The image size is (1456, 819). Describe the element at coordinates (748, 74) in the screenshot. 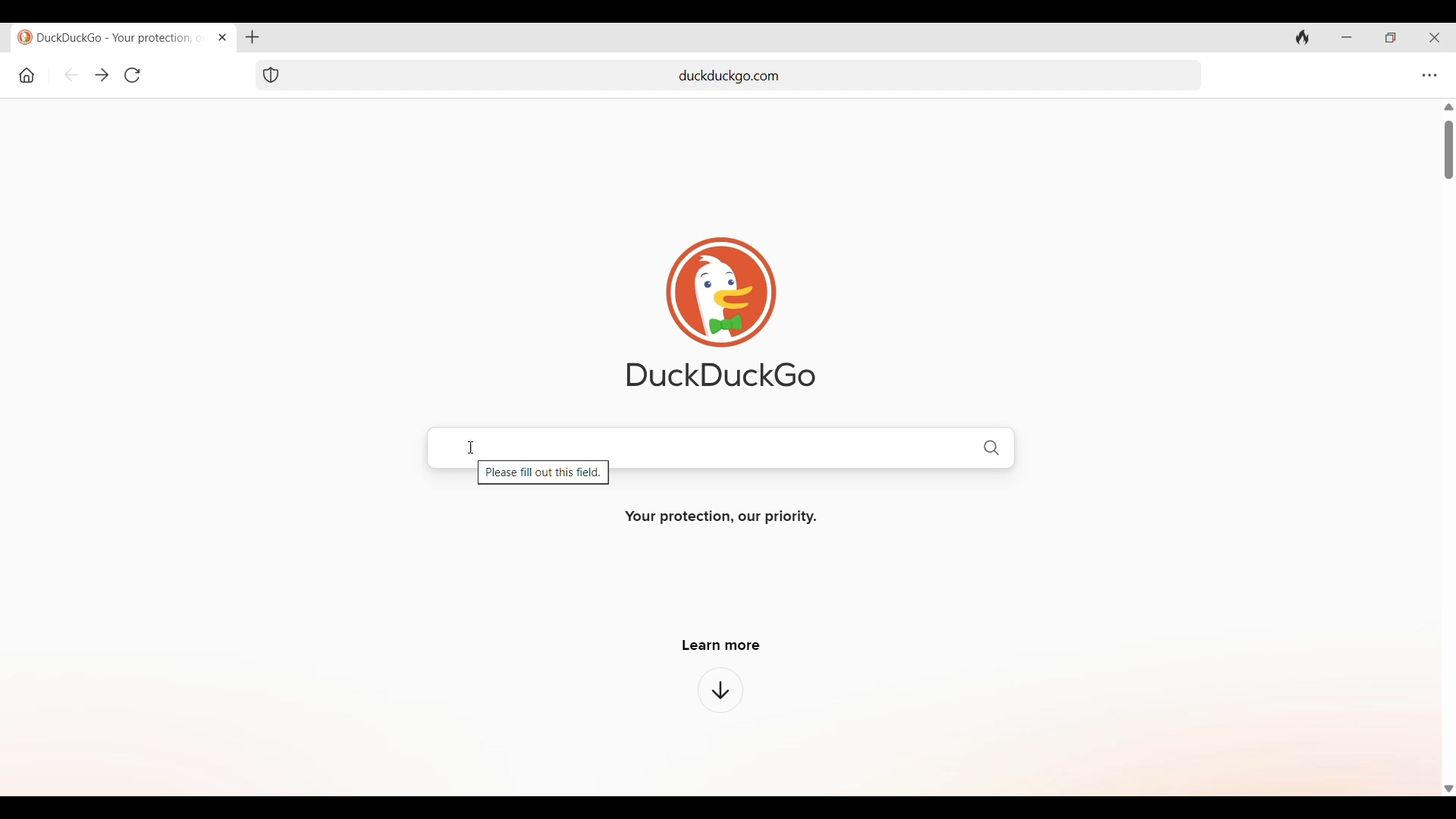

I see `Add URL` at that location.